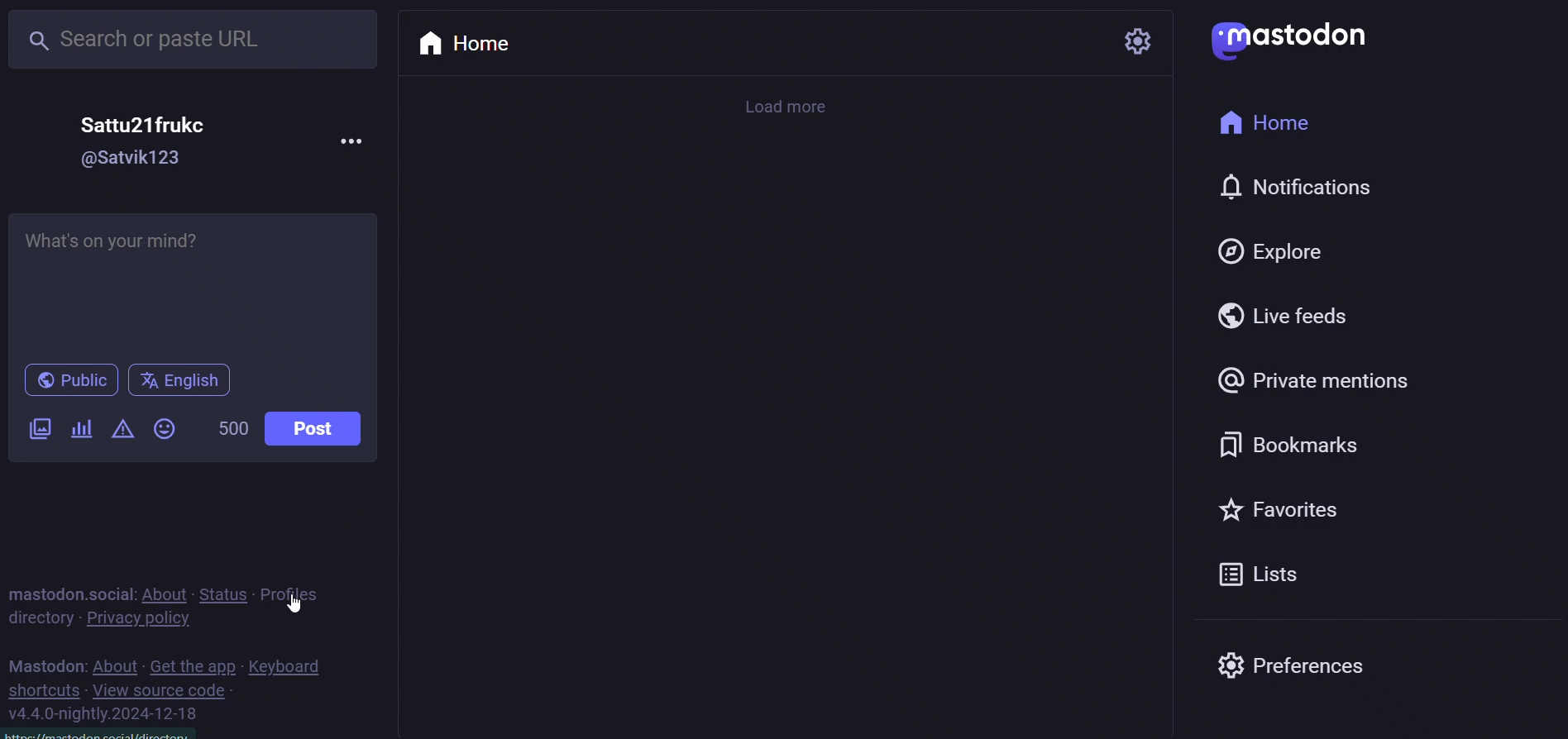  I want to click on public, so click(69, 379).